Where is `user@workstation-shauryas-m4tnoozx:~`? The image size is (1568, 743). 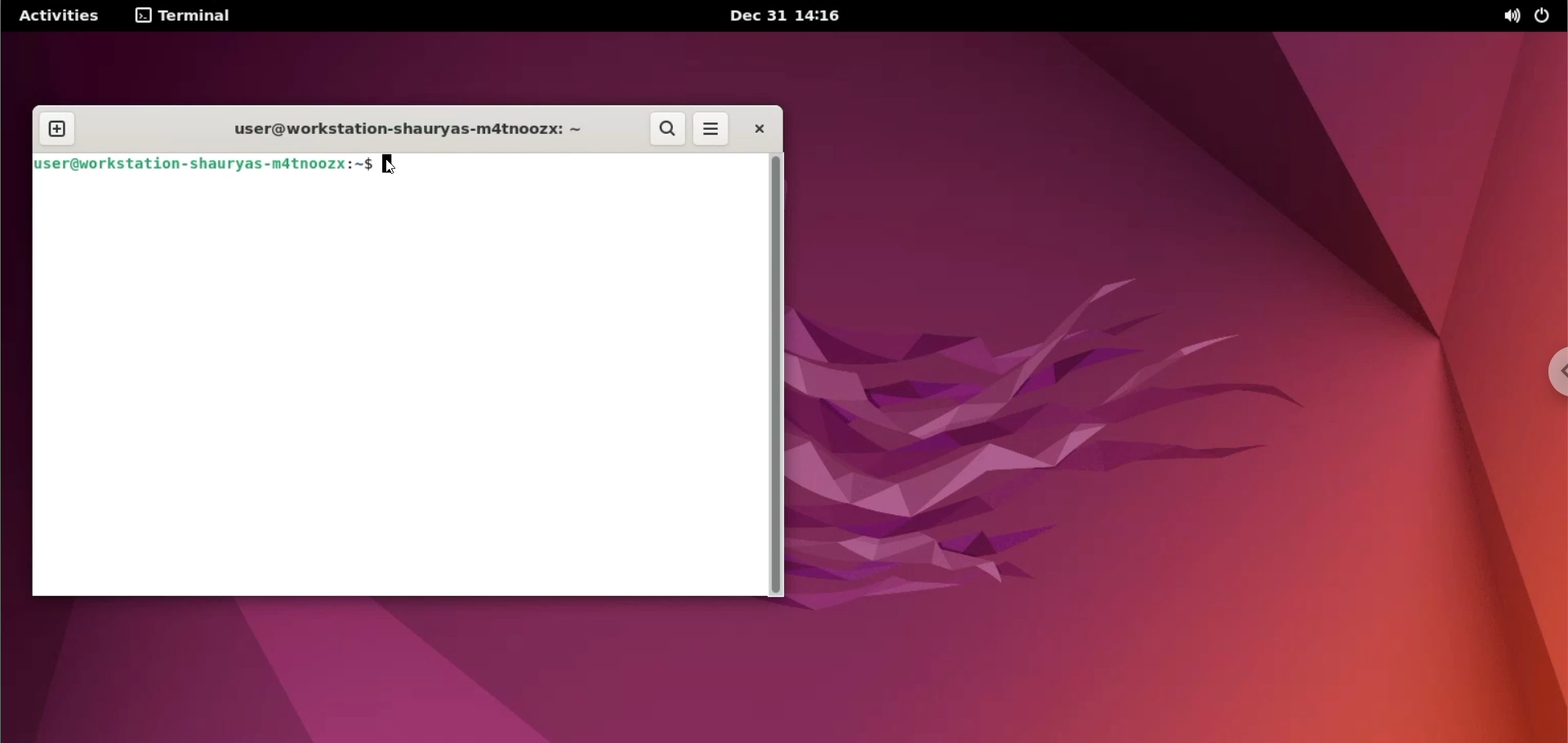
user@workstation-shauryas-m4tnoozx:~ is located at coordinates (401, 132).